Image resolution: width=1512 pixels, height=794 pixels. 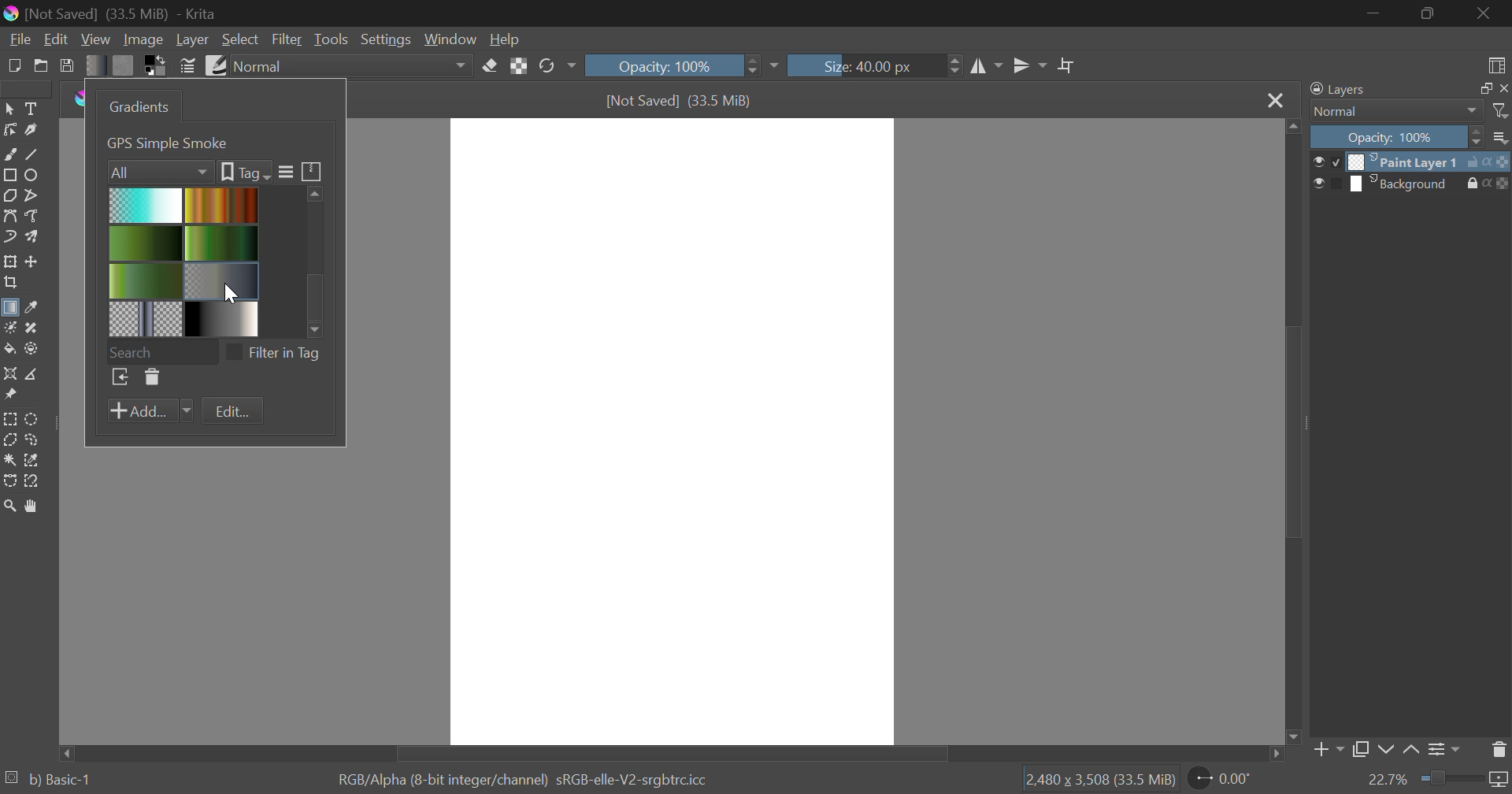 What do you see at coordinates (1437, 781) in the screenshot?
I see `22.7%` at bounding box center [1437, 781].